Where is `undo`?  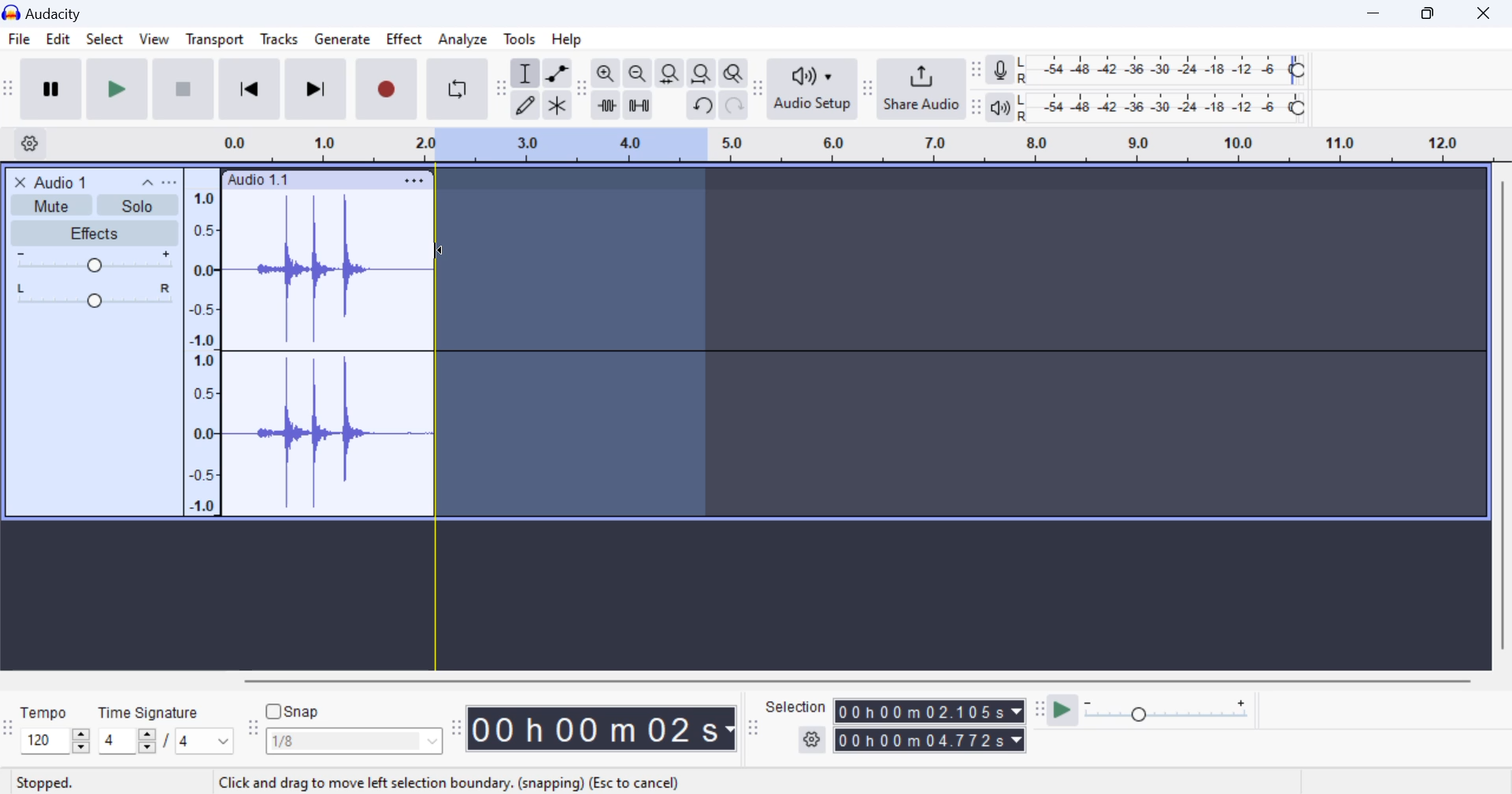 undo is located at coordinates (703, 106).